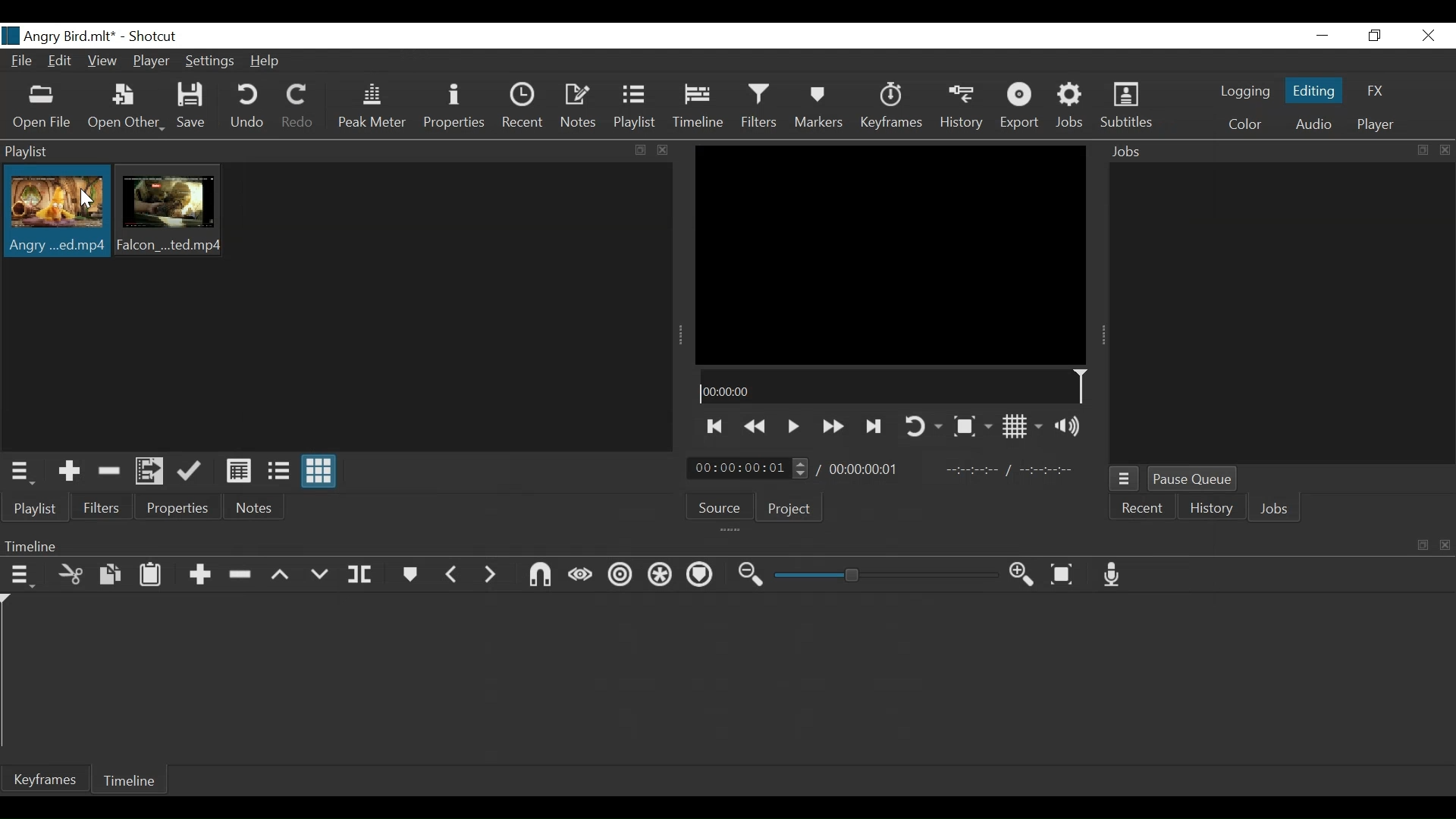 The image size is (1456, 819). What do you see at coordinates (192, 472) in the screenshot?
I see `Update` at bounding box center [192, 472].